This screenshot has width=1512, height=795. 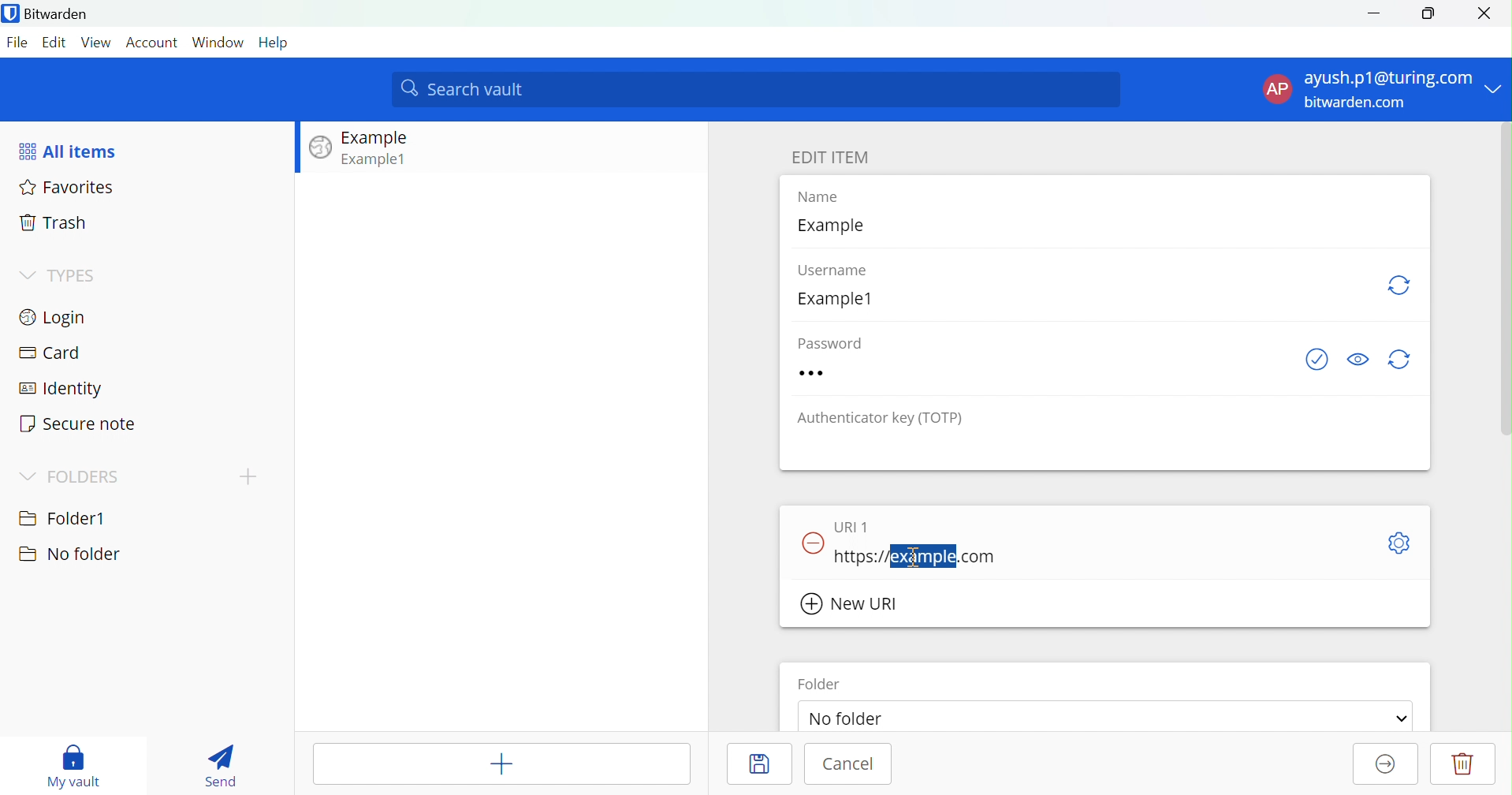 I want to click on Password, so click(x=845, y=372).